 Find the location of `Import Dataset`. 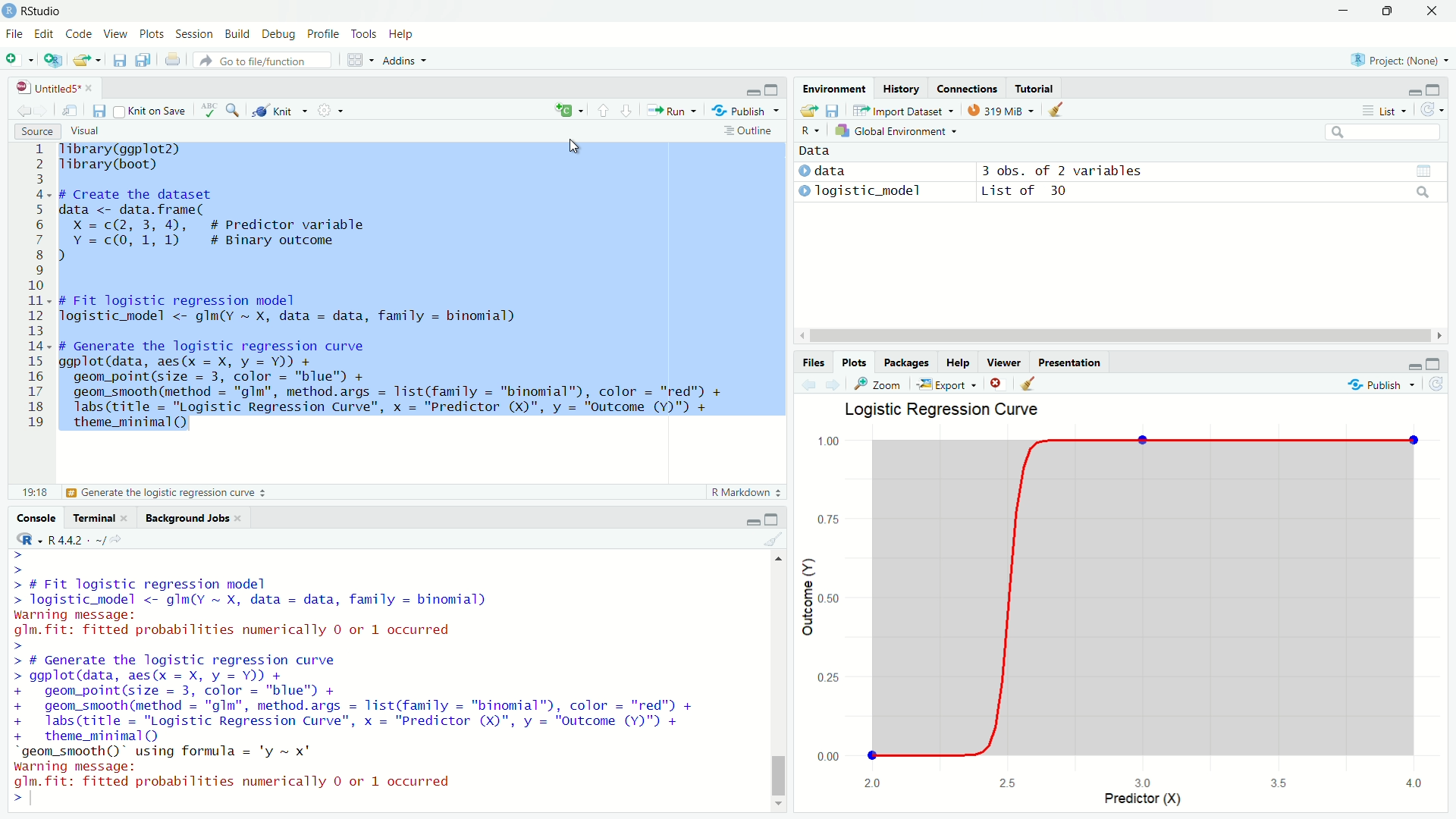

Import Dataset is located at coordinates (903, 110).